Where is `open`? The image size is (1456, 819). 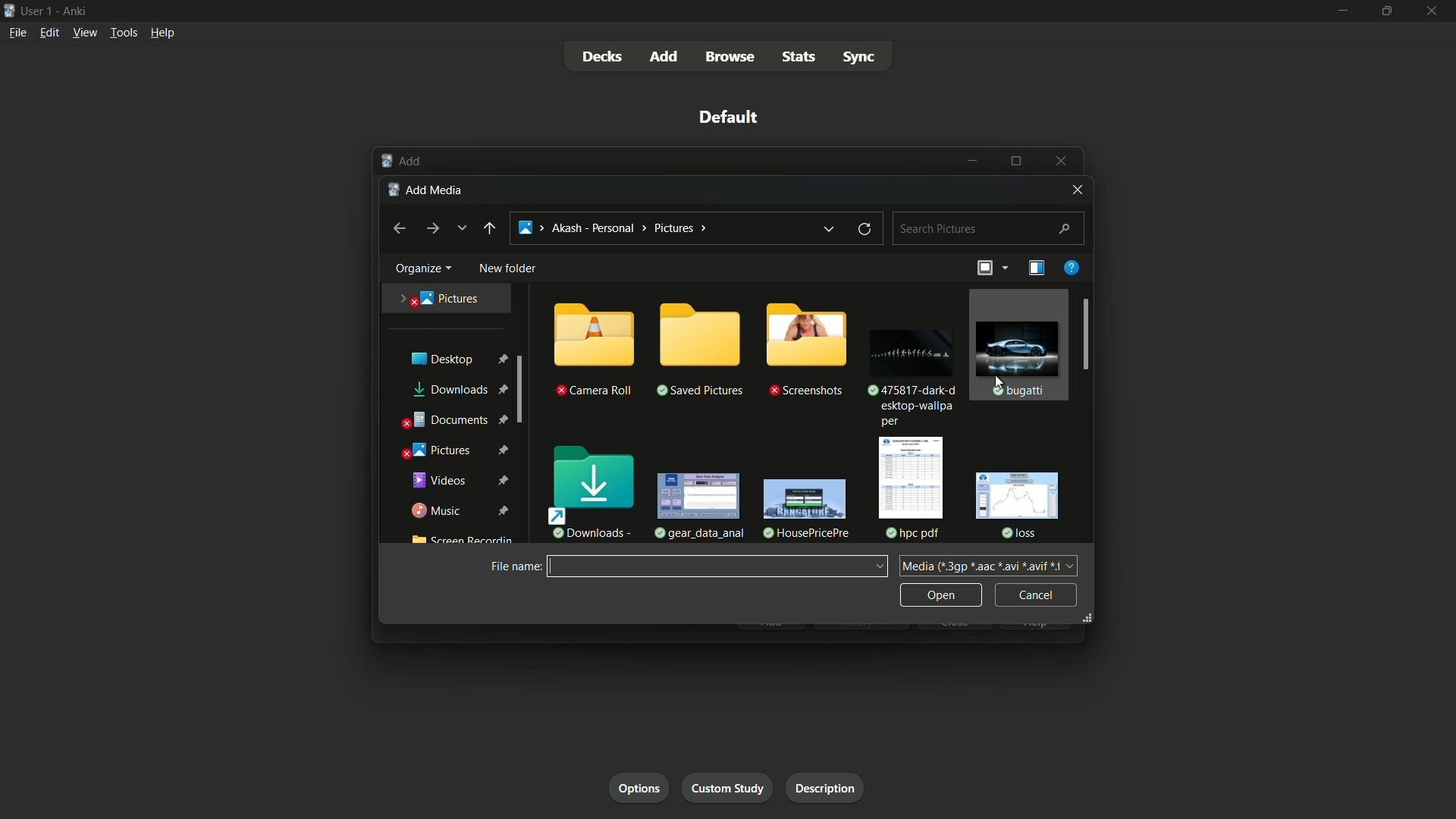 open is located at coordinates (941, 595).